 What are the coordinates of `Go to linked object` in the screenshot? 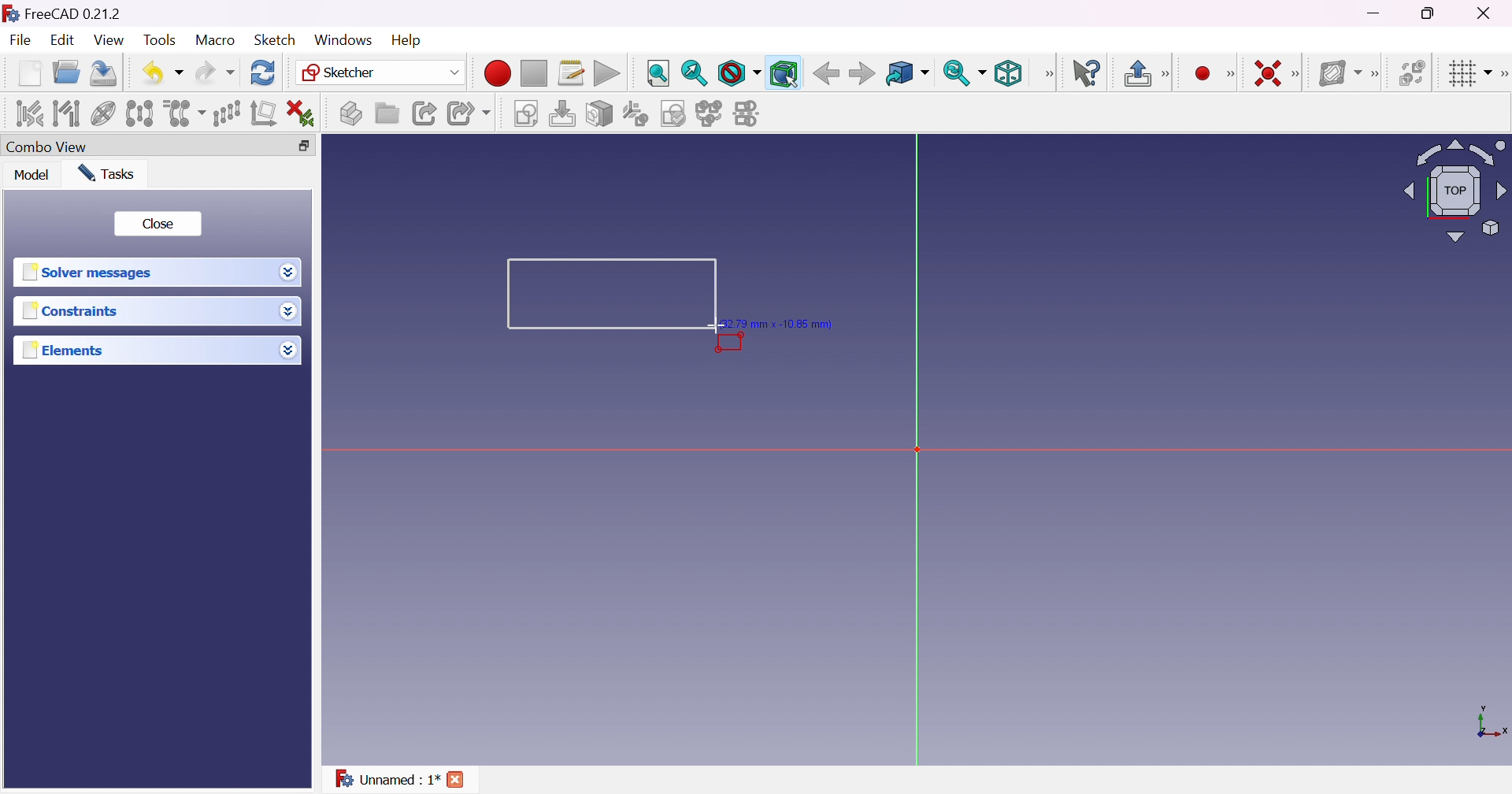 It's located at (908, 72).